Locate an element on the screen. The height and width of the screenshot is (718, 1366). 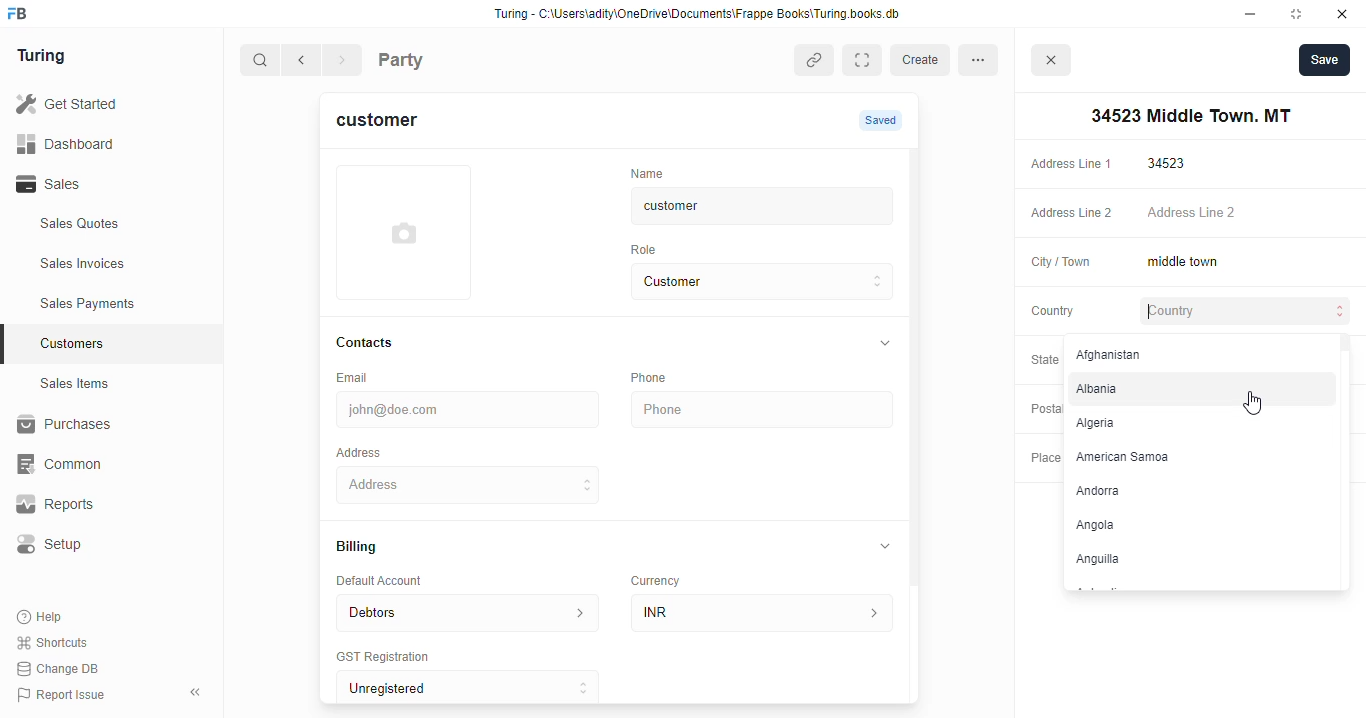
‘Common is located at coordinates (100, 464).